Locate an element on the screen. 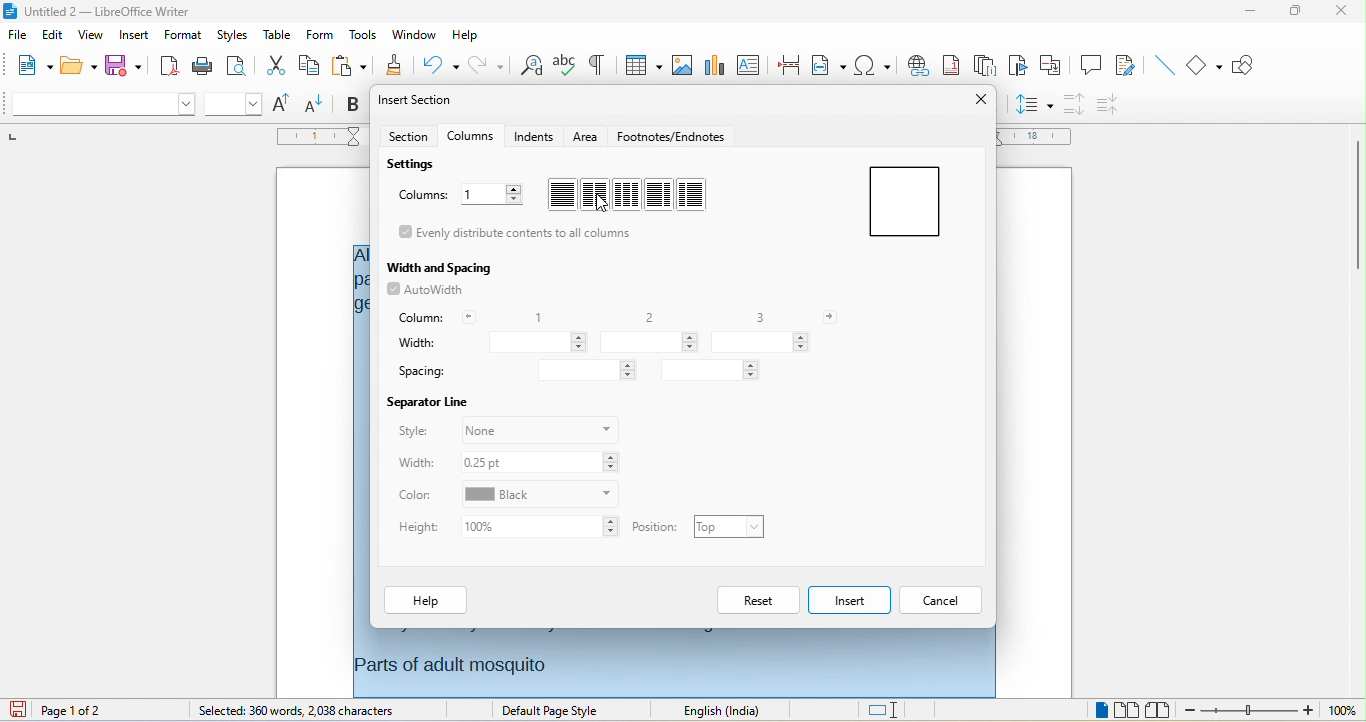  text language is located at coordinates (729, 711).